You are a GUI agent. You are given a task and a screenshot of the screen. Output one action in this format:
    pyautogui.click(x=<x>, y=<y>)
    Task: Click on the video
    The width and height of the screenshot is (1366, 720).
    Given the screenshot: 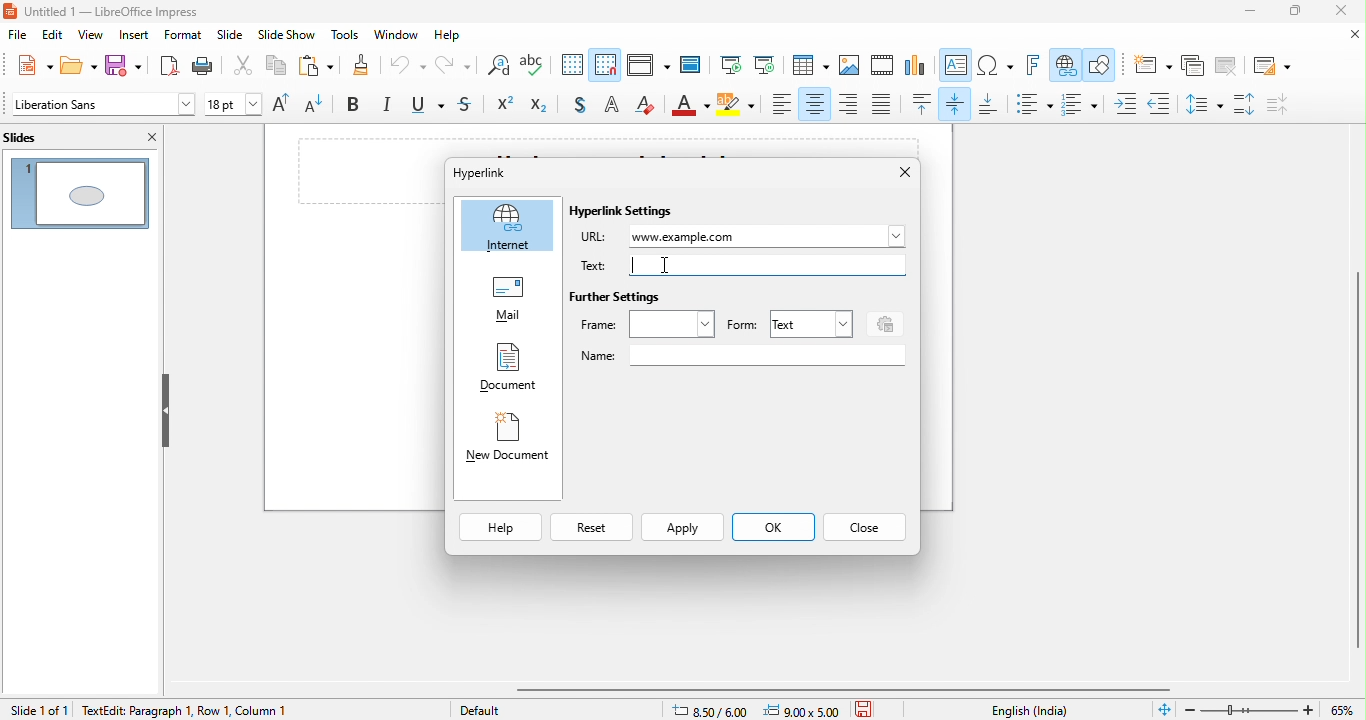 What is the action you would take?
    pyautogui.click(x=883, y=67)
    